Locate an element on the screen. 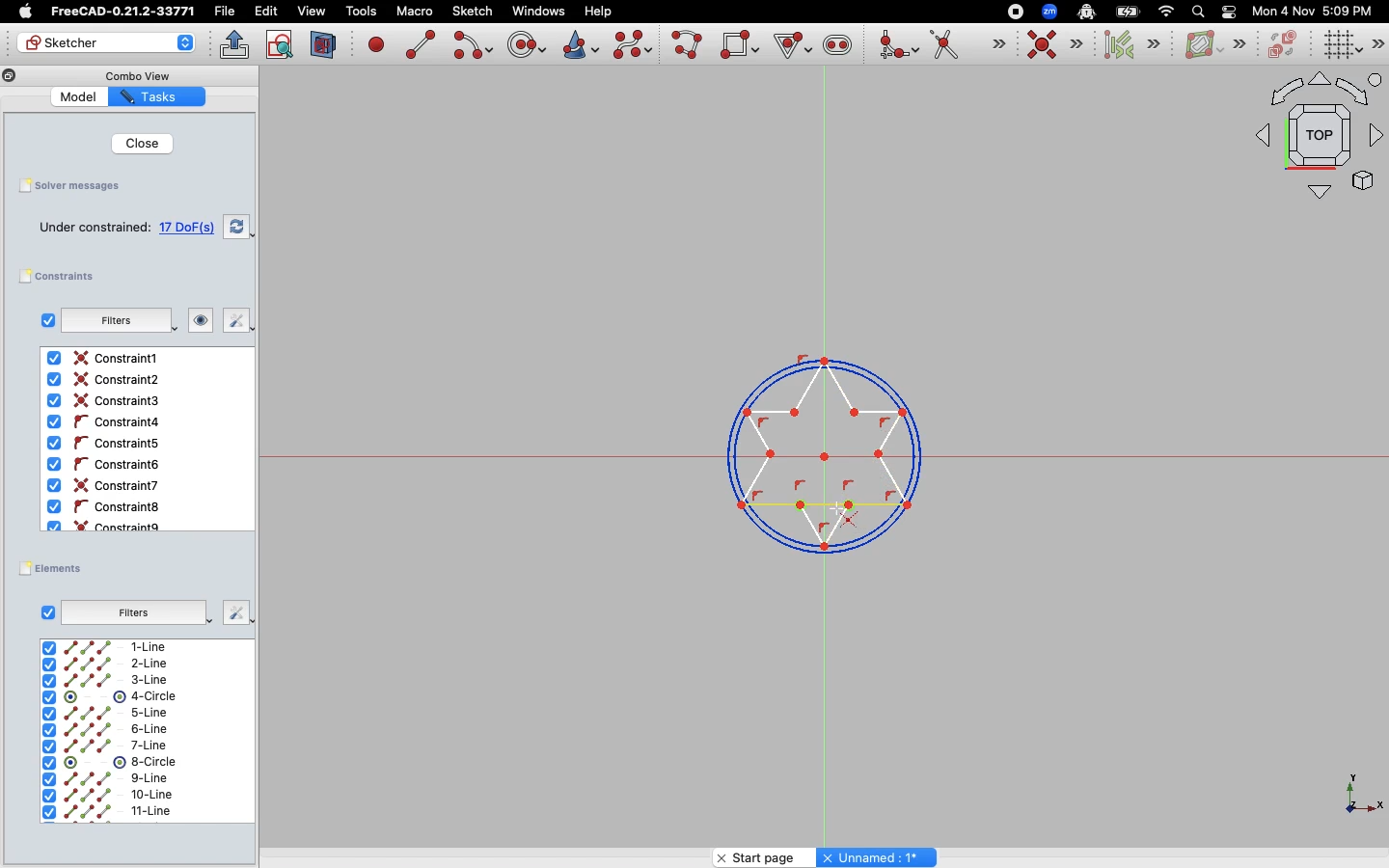 The height and width of the screenshot is (868, 1389). Constraint2 is located at coordinates (108, 380).